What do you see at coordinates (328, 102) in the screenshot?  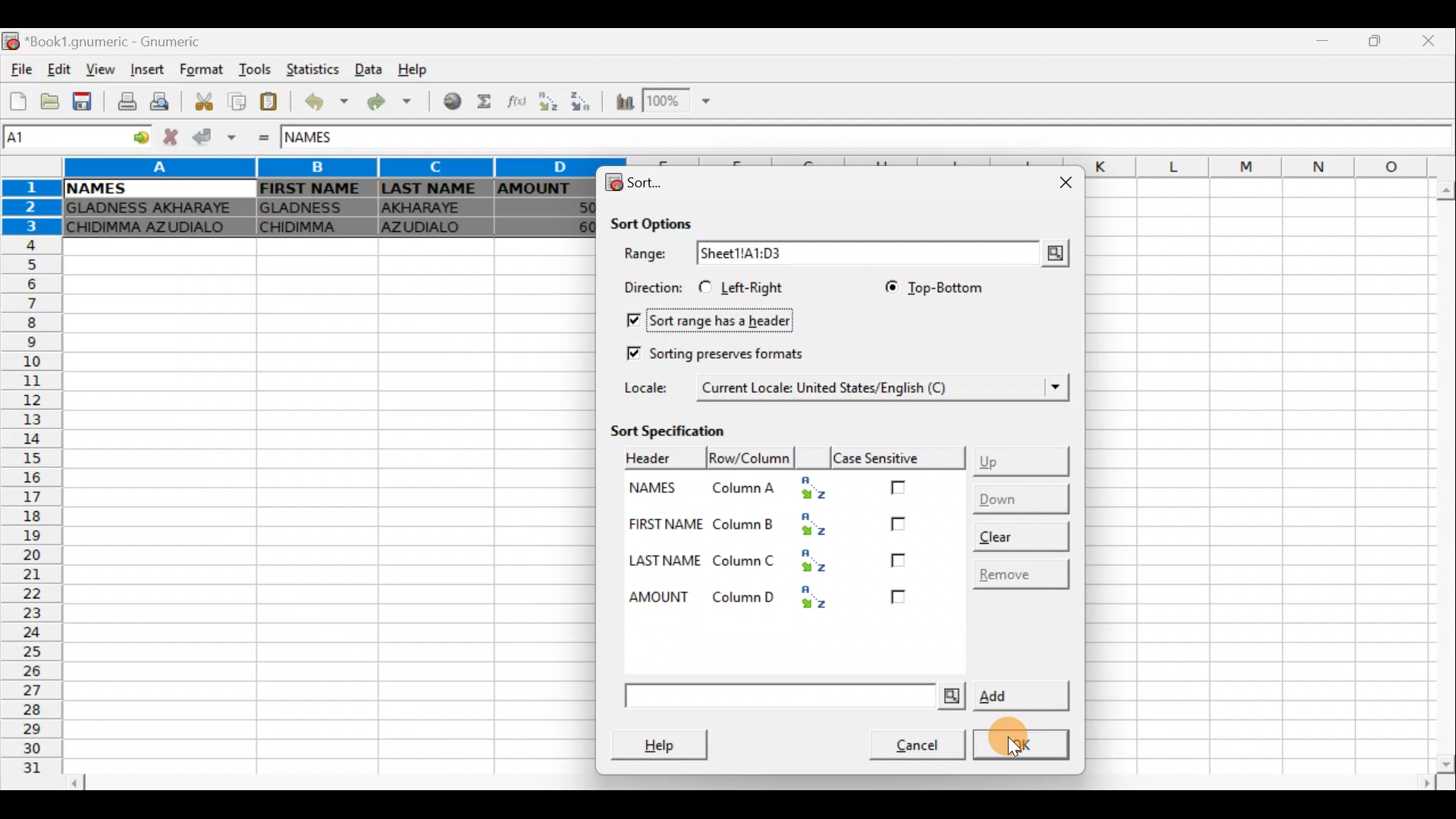 I see `Undo last action` at bounding box center [328, 102].